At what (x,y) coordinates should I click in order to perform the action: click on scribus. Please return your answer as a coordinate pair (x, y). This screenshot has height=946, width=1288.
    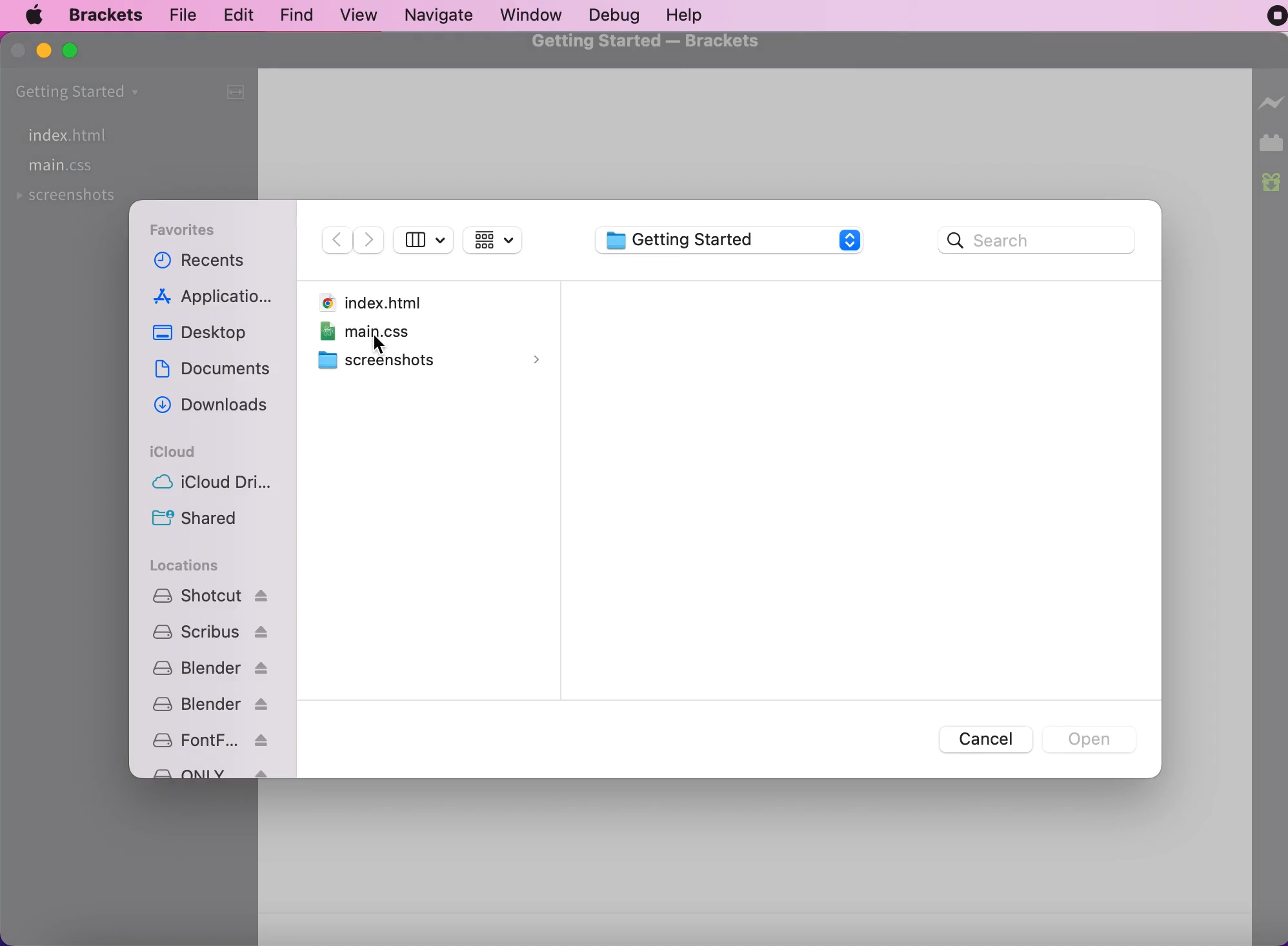
    Looking at the image, I should click on (211, 632).